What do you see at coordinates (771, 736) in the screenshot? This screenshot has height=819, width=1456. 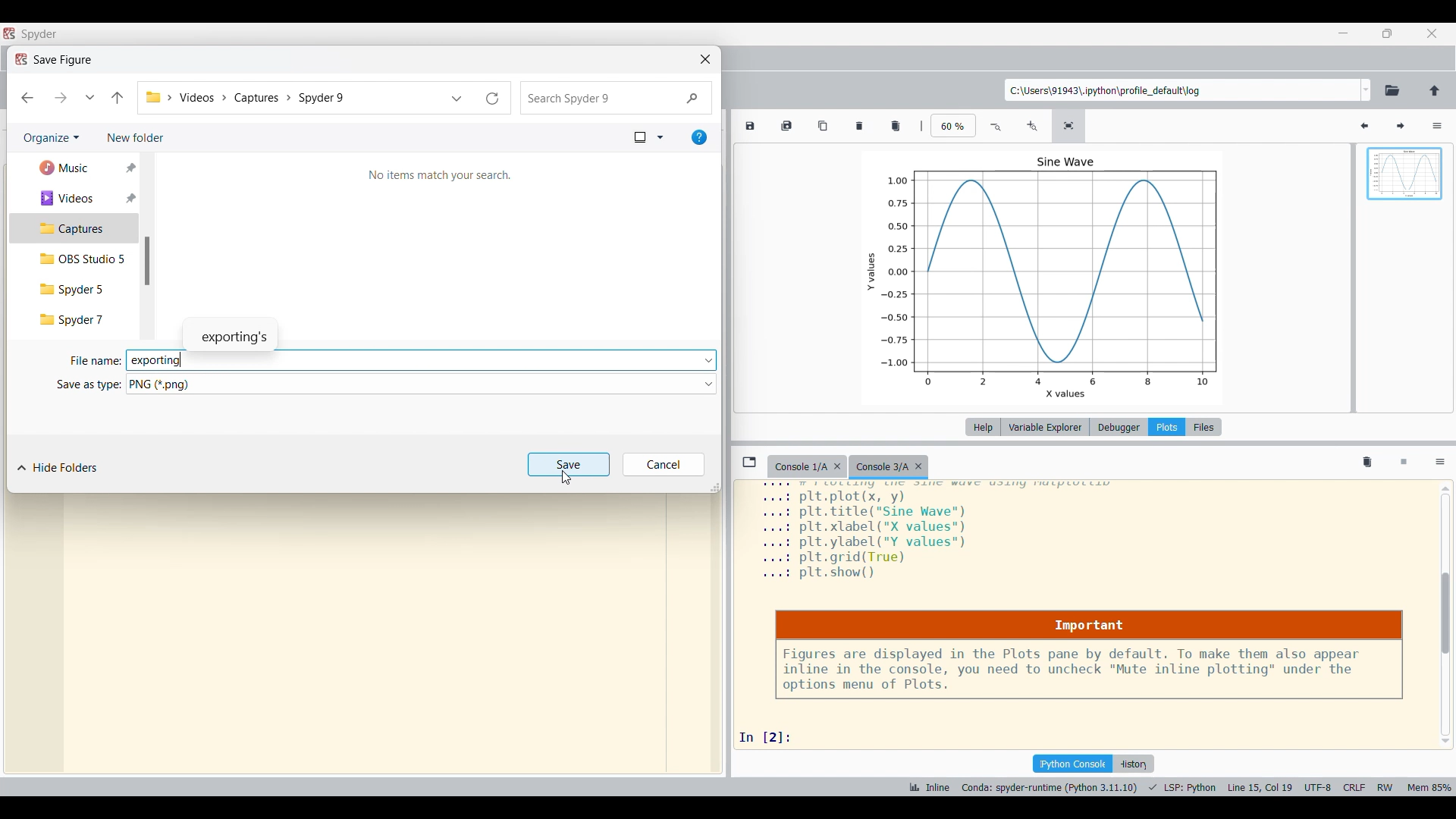 I see `input` at bounding box center [771, 736].